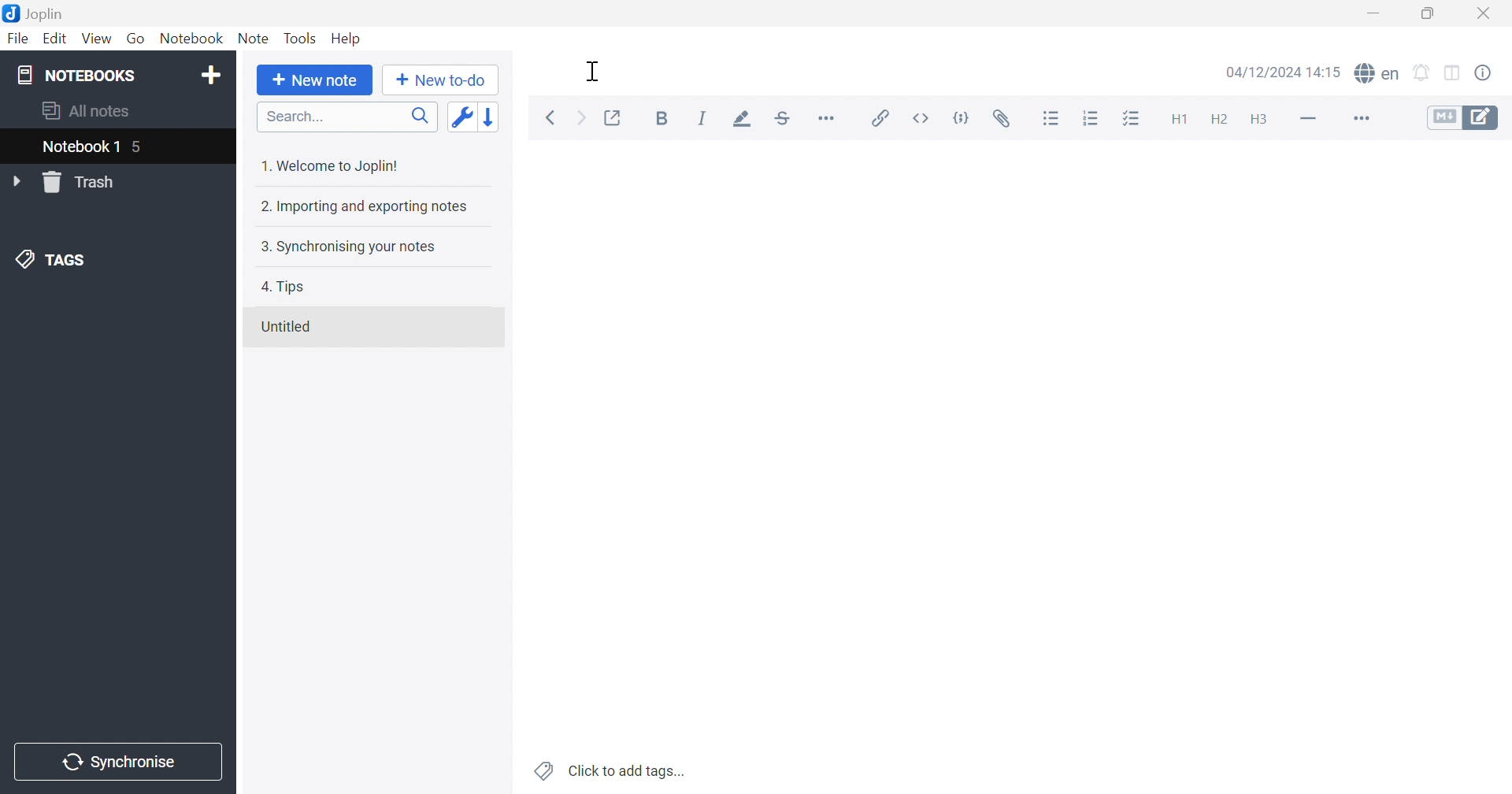  What do you see at coordinates (1177, 121) in the screenshot?
I see `Heading 1` at bounding box center [1177, 121].